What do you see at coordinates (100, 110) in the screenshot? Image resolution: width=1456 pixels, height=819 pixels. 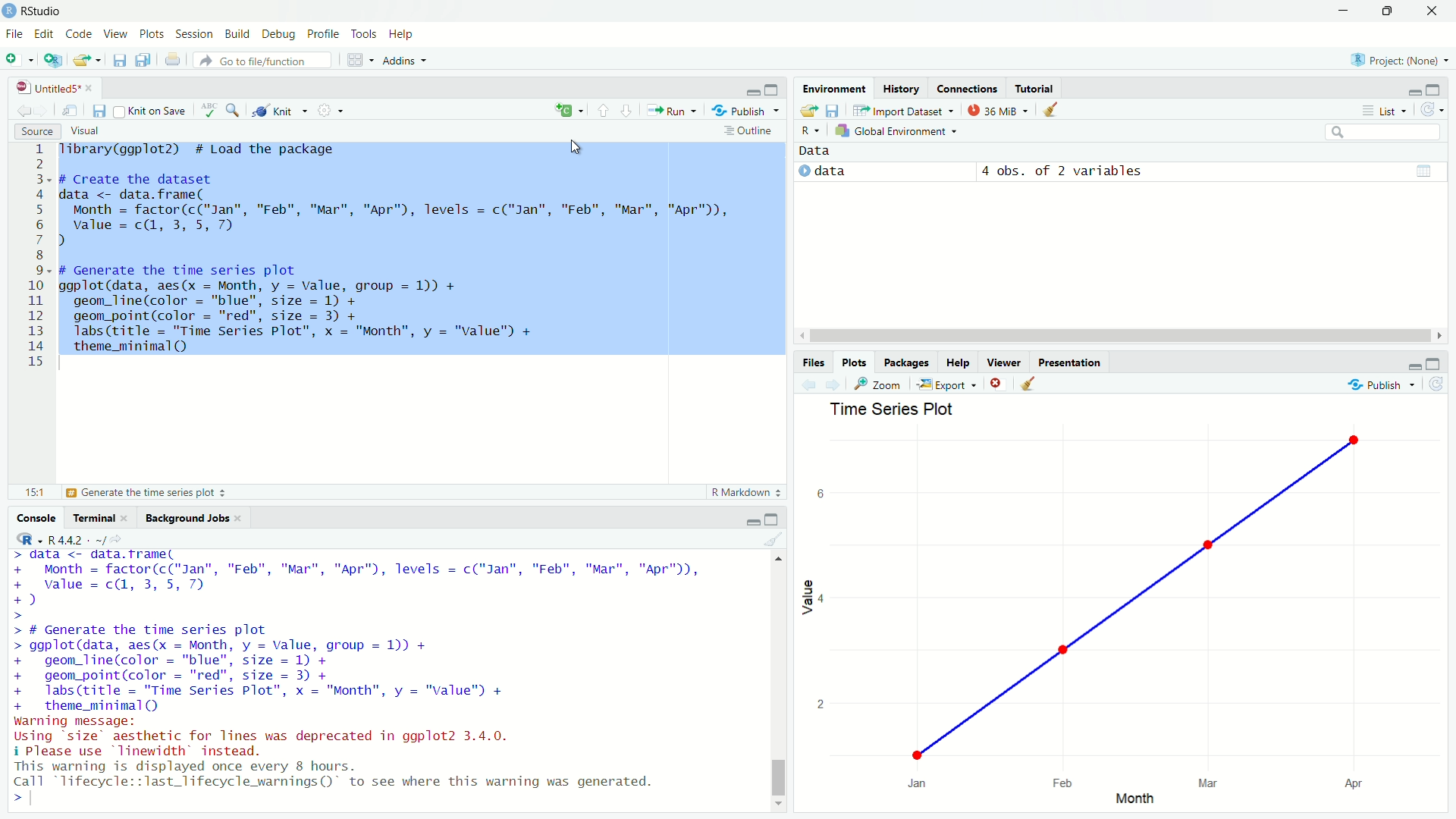 I see `save current document` at bounding box center [100, 110].